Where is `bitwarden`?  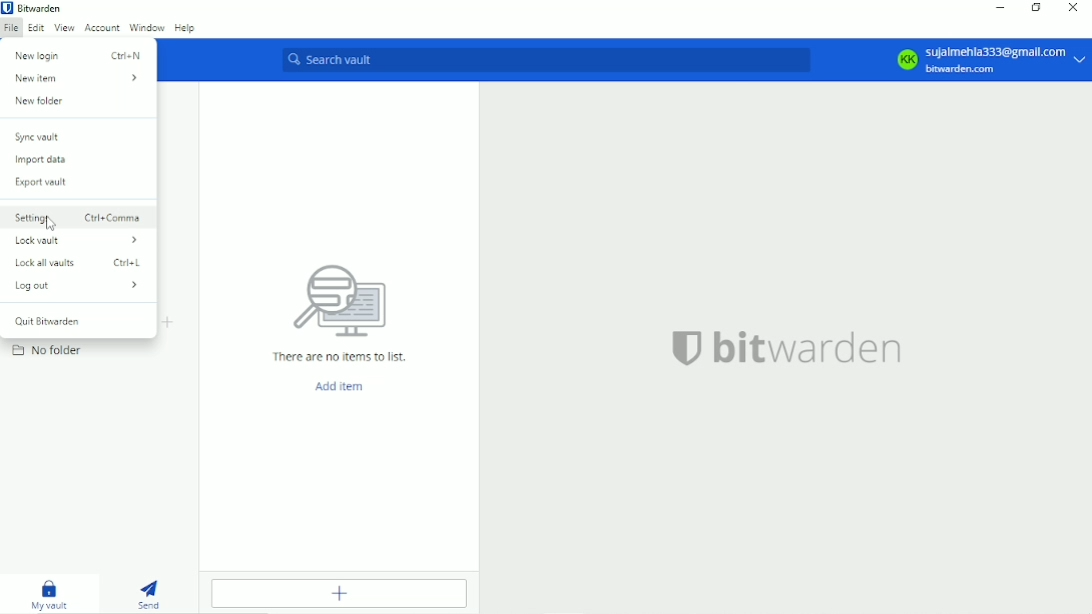 bitwarden is located at coordinates (813, 348).